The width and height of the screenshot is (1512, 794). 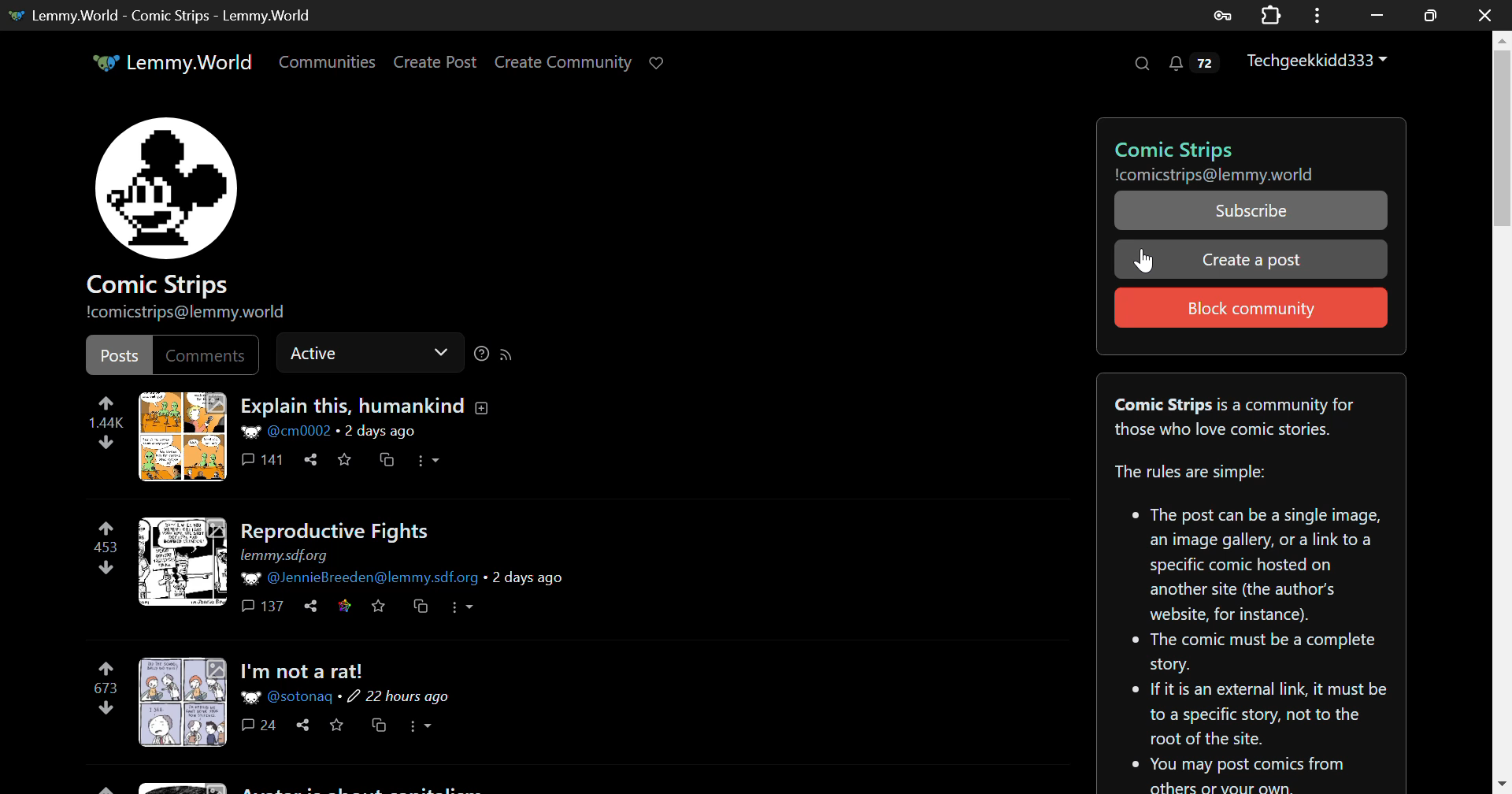 What do you see at coordinates (1319, 62) in the screenshot?
I see `Techgeekkidd333` at bounding box center [1319, 62].